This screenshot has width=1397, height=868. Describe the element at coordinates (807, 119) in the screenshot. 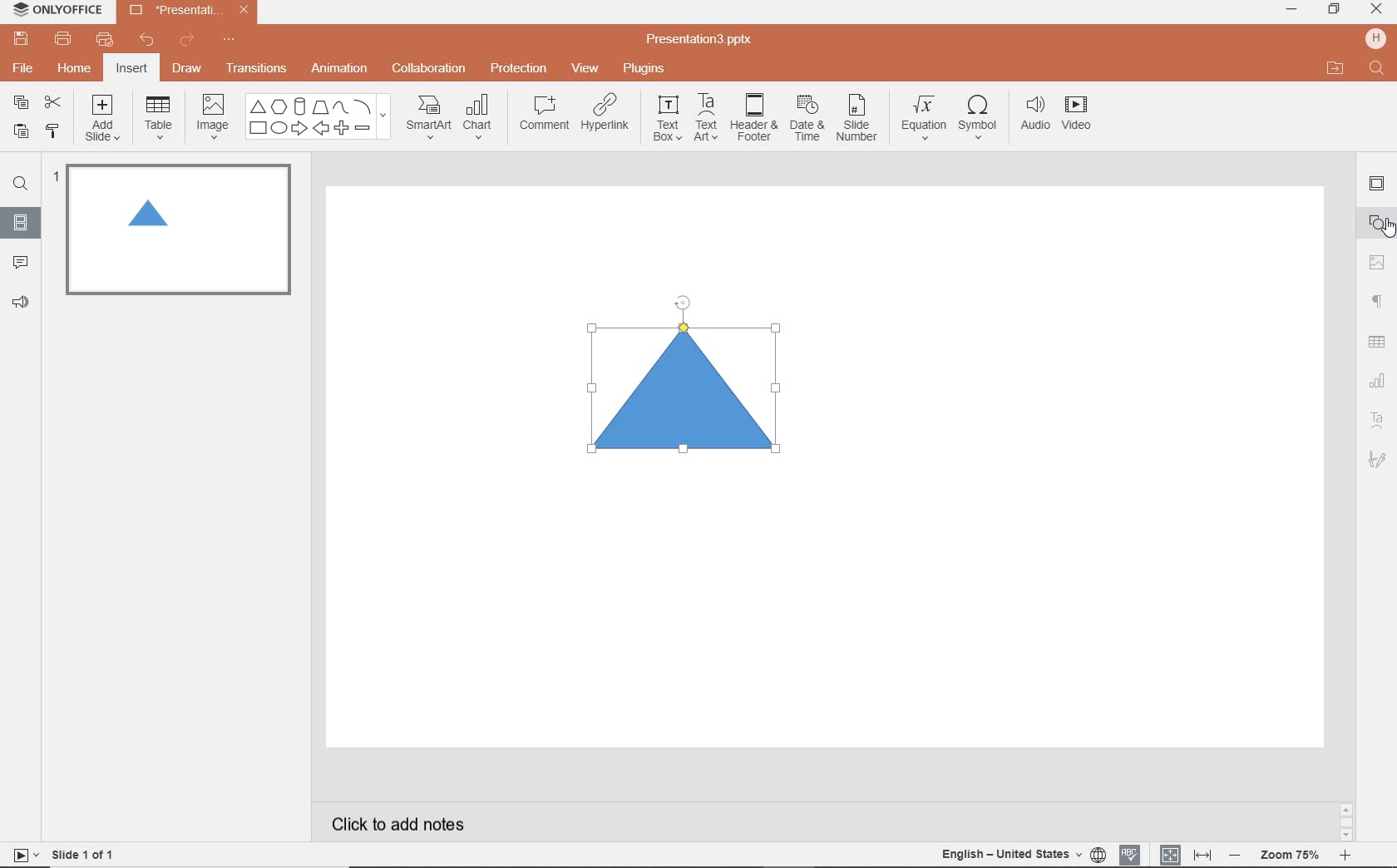

I see `DATE & TIME` at that location.